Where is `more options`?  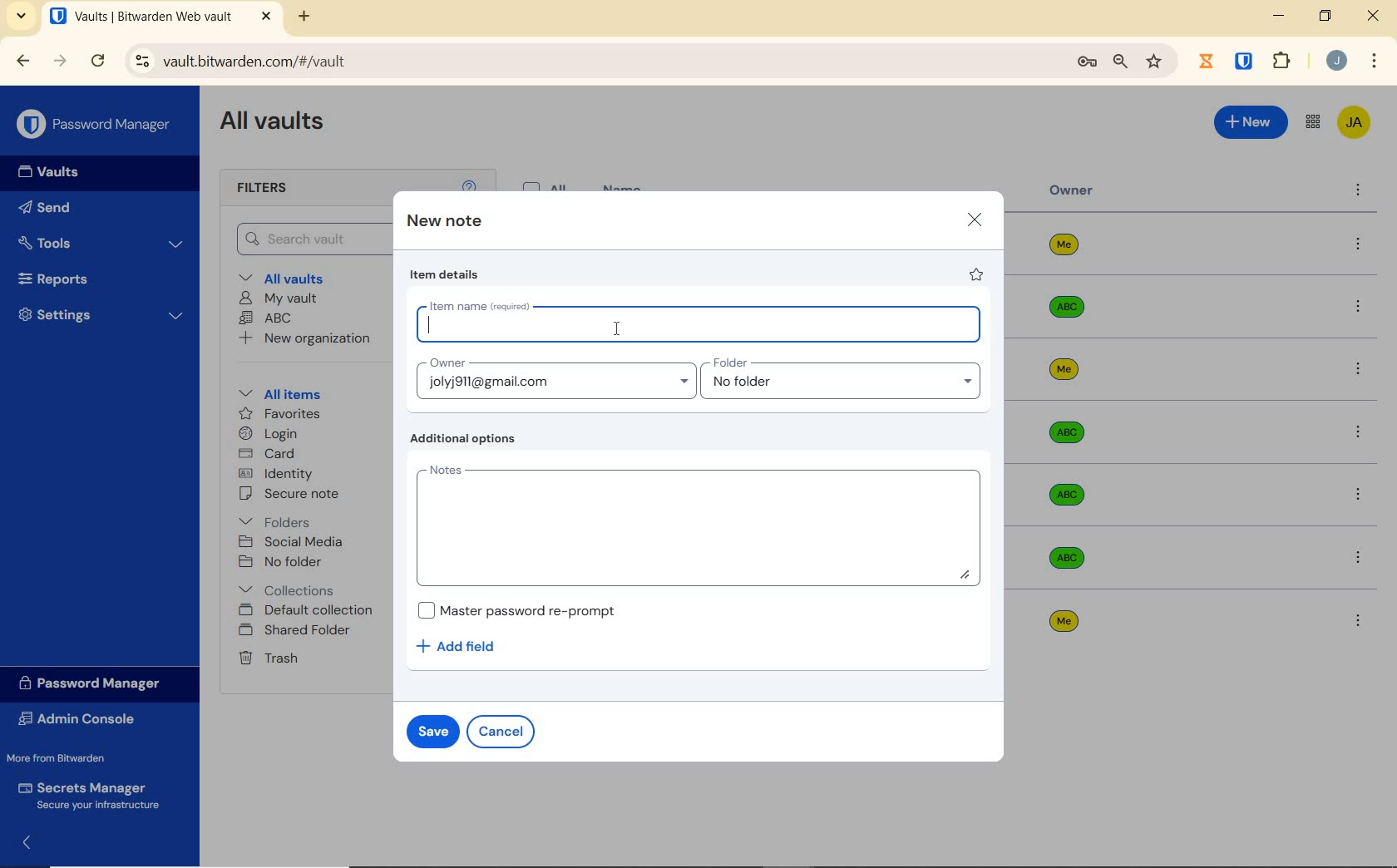
more options is located at coordinates (1360, 556).